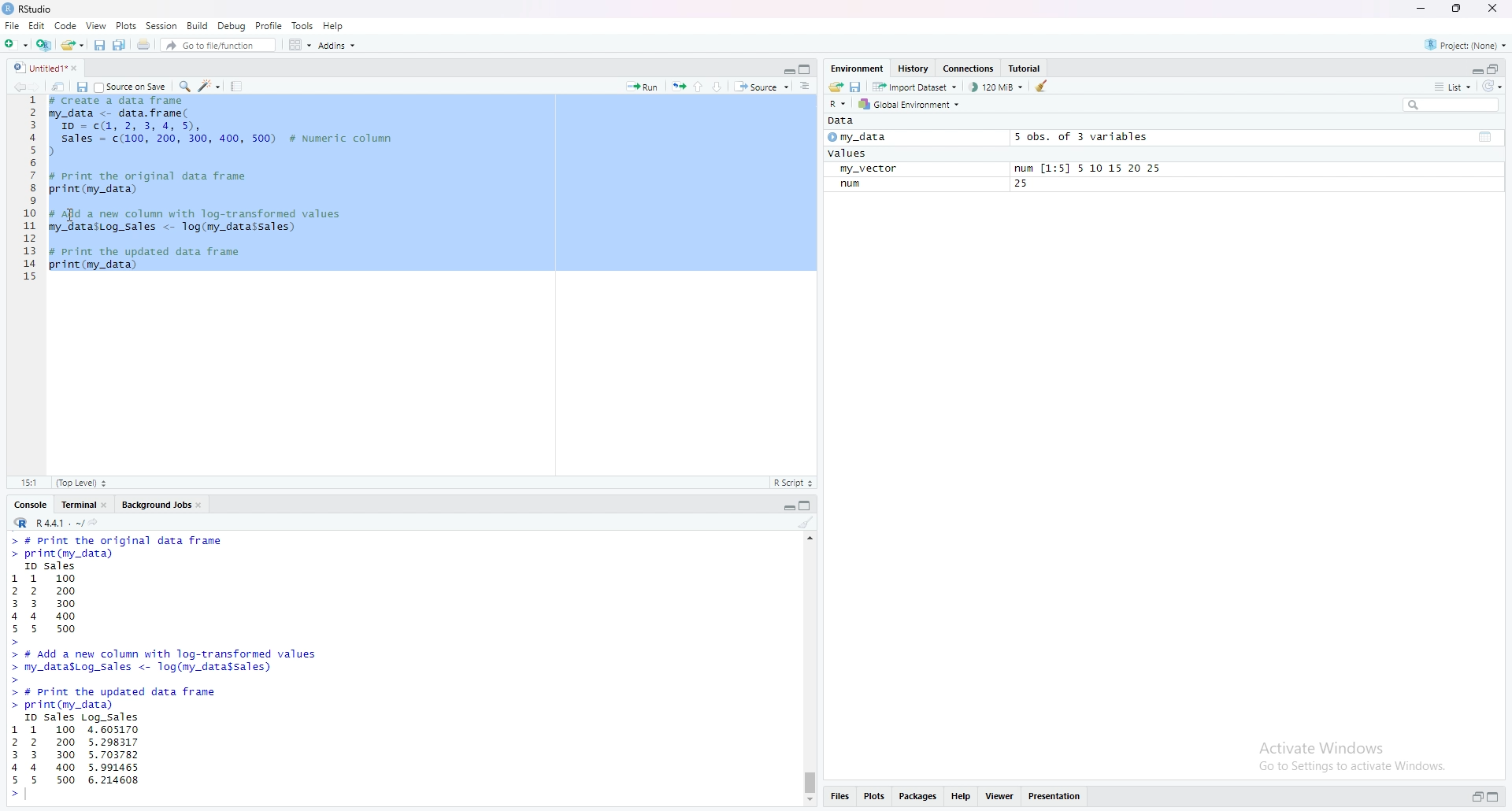  Describe the element at coordinates (1424, 10) in the screenshot. I see `minimize` at that location.